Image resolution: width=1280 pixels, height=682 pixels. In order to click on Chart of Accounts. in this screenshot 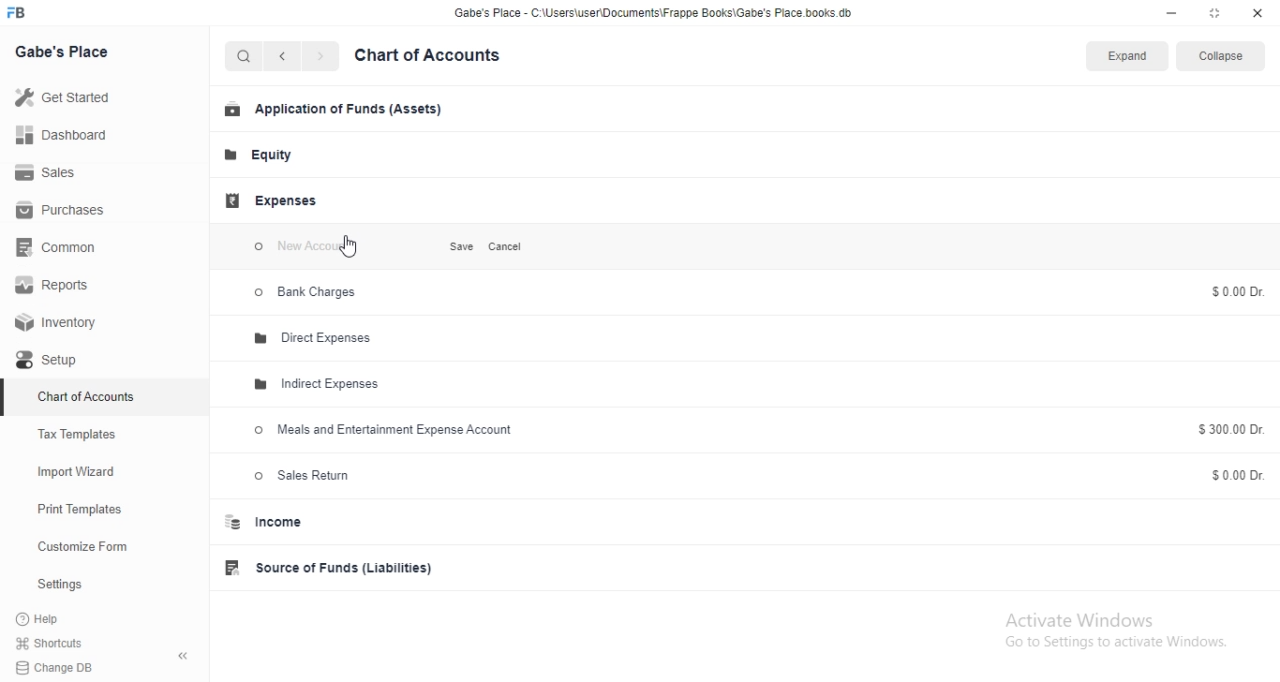, I will do `click(86, 393)`.